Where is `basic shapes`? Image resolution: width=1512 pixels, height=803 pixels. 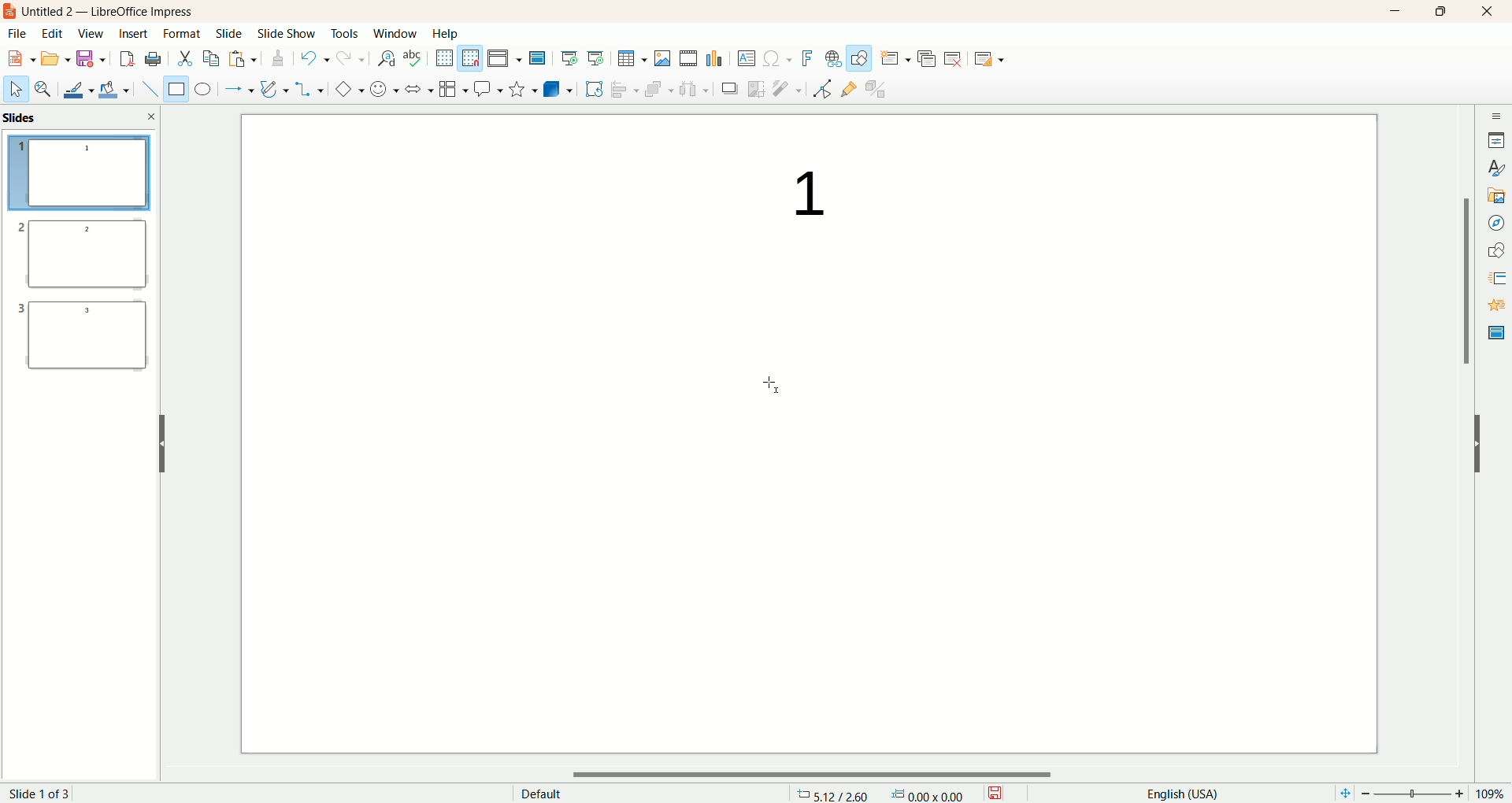 basic shapes is located at coordinates (346, 90).